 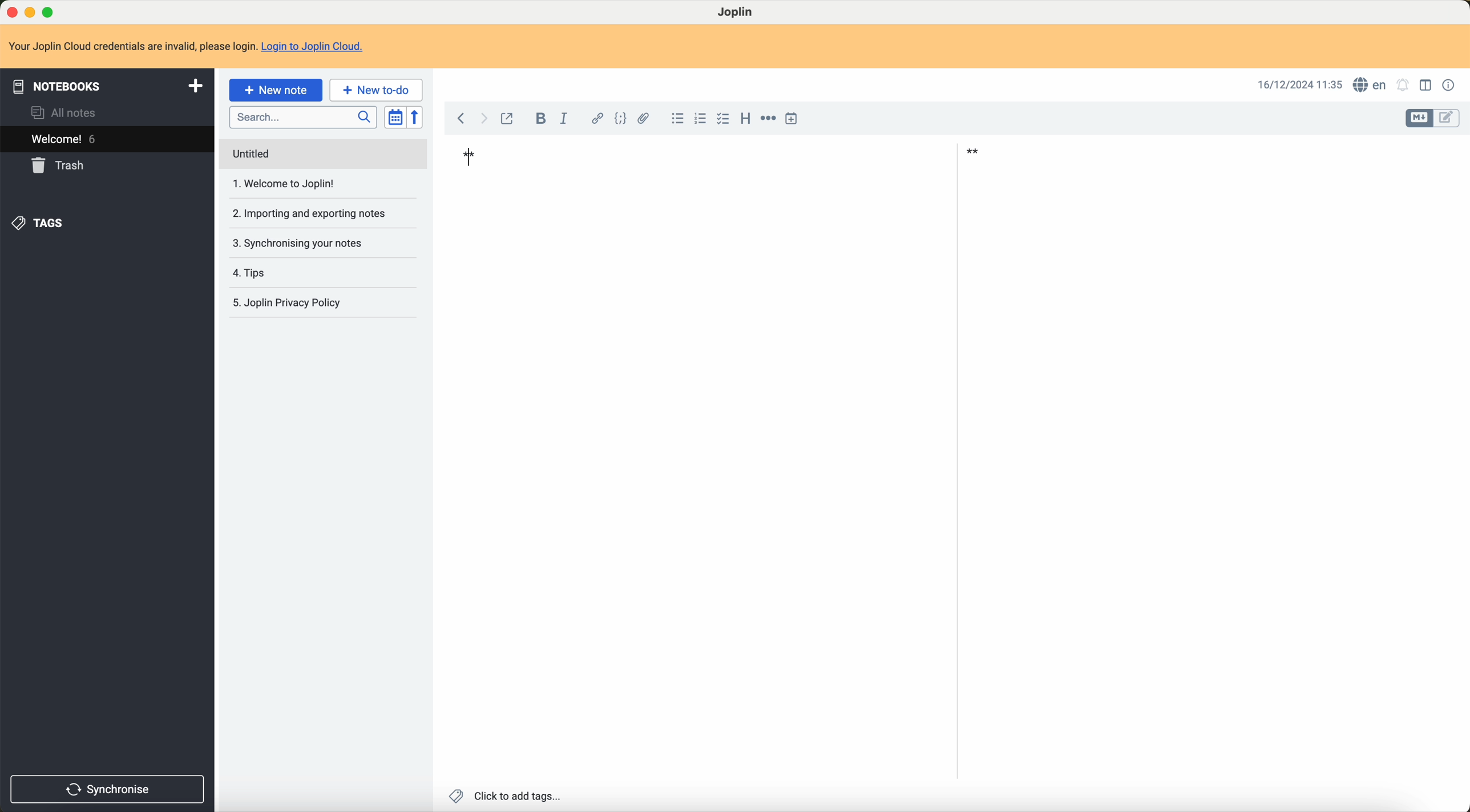 What do you see at coordinates (300, 116) in the screenshot?
I see `search bar` at bounding box center [300, 116].